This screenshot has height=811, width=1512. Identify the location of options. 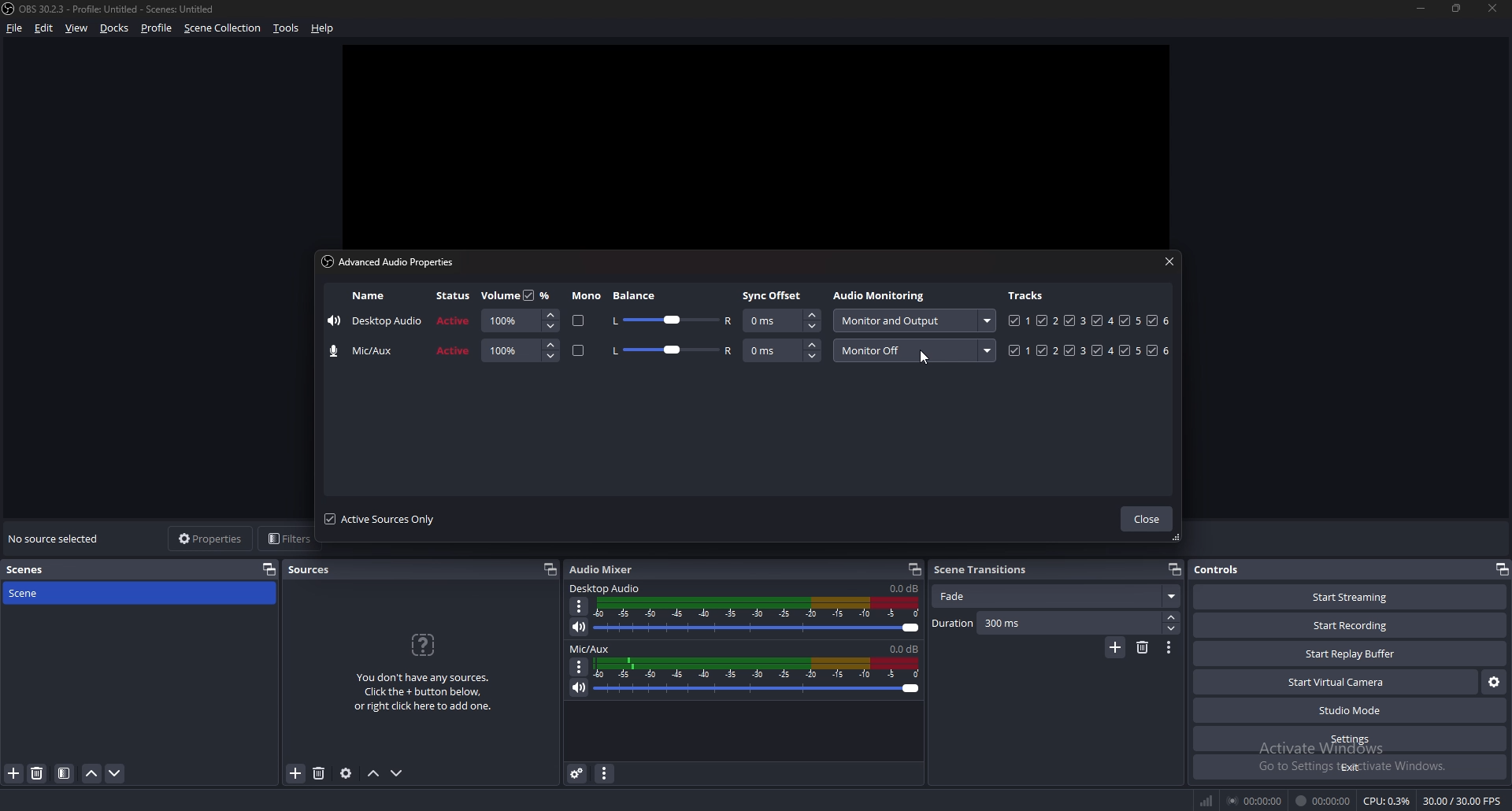
(579, 667).